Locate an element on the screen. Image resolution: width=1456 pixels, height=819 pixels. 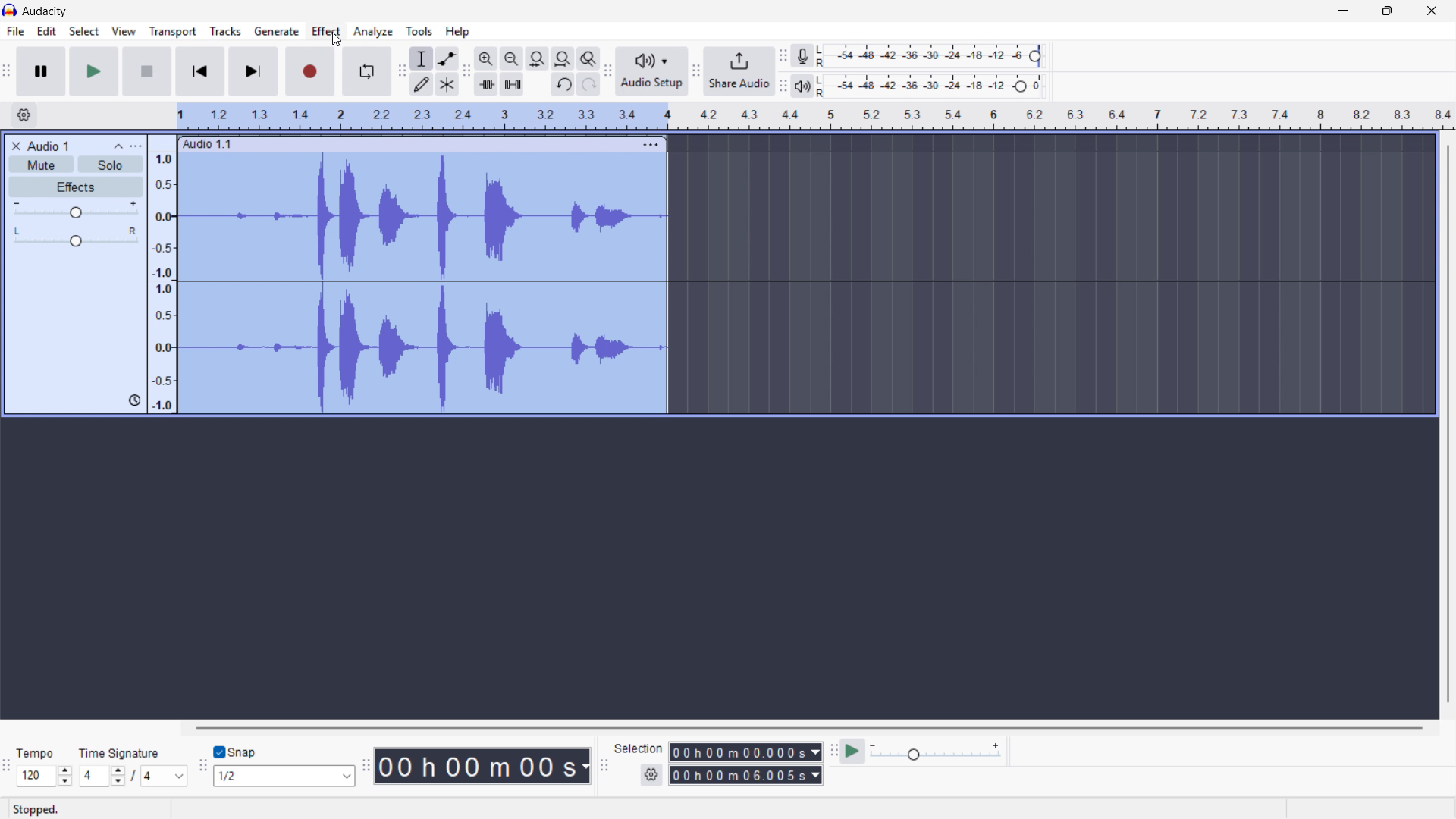
Fit selection to width is located at coordinates (538, 58).